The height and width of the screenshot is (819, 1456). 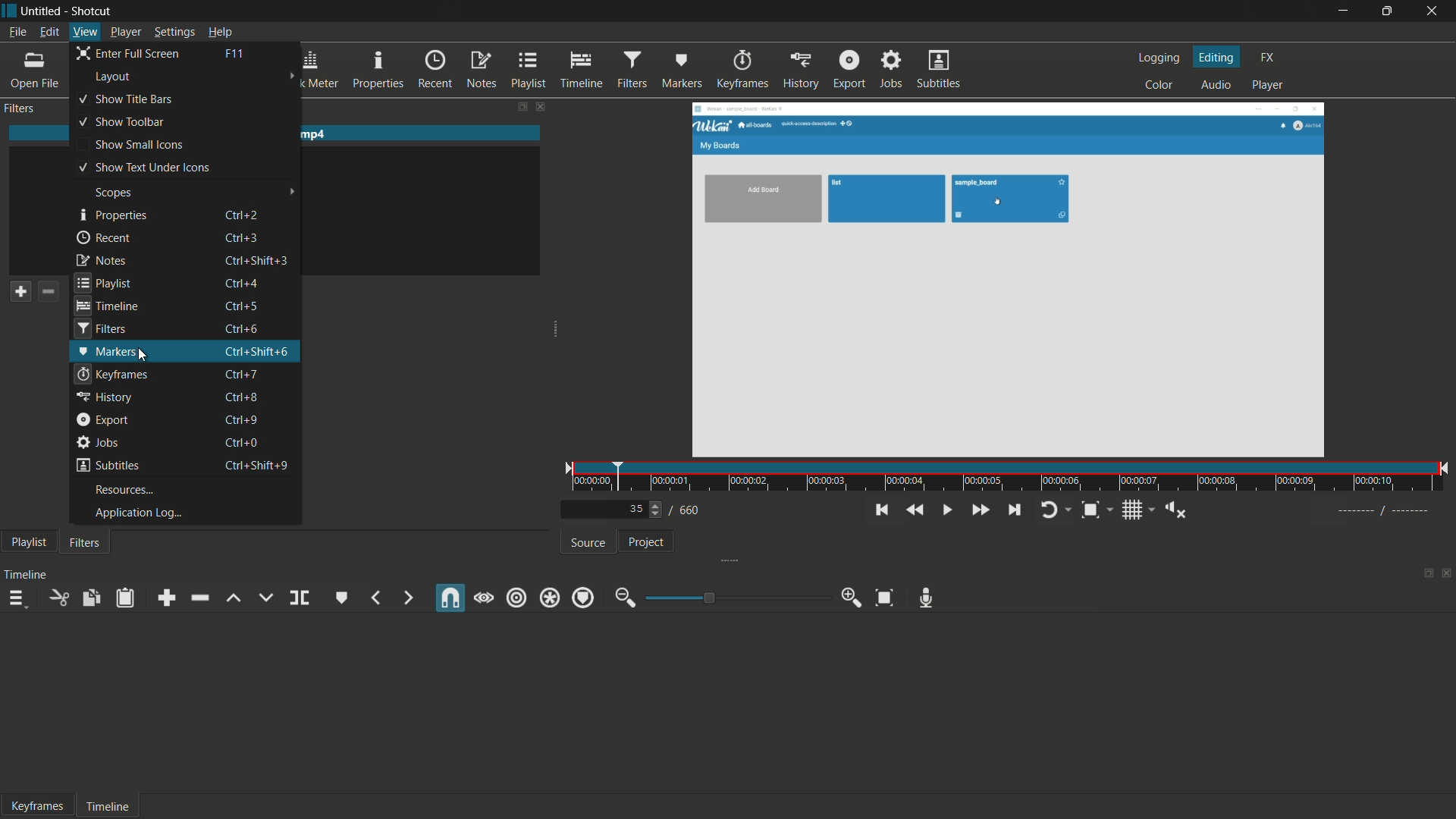 What do you see at coordinates (114, 215) in the screenshot?
I see `properties` at bounding box center [114, 215].